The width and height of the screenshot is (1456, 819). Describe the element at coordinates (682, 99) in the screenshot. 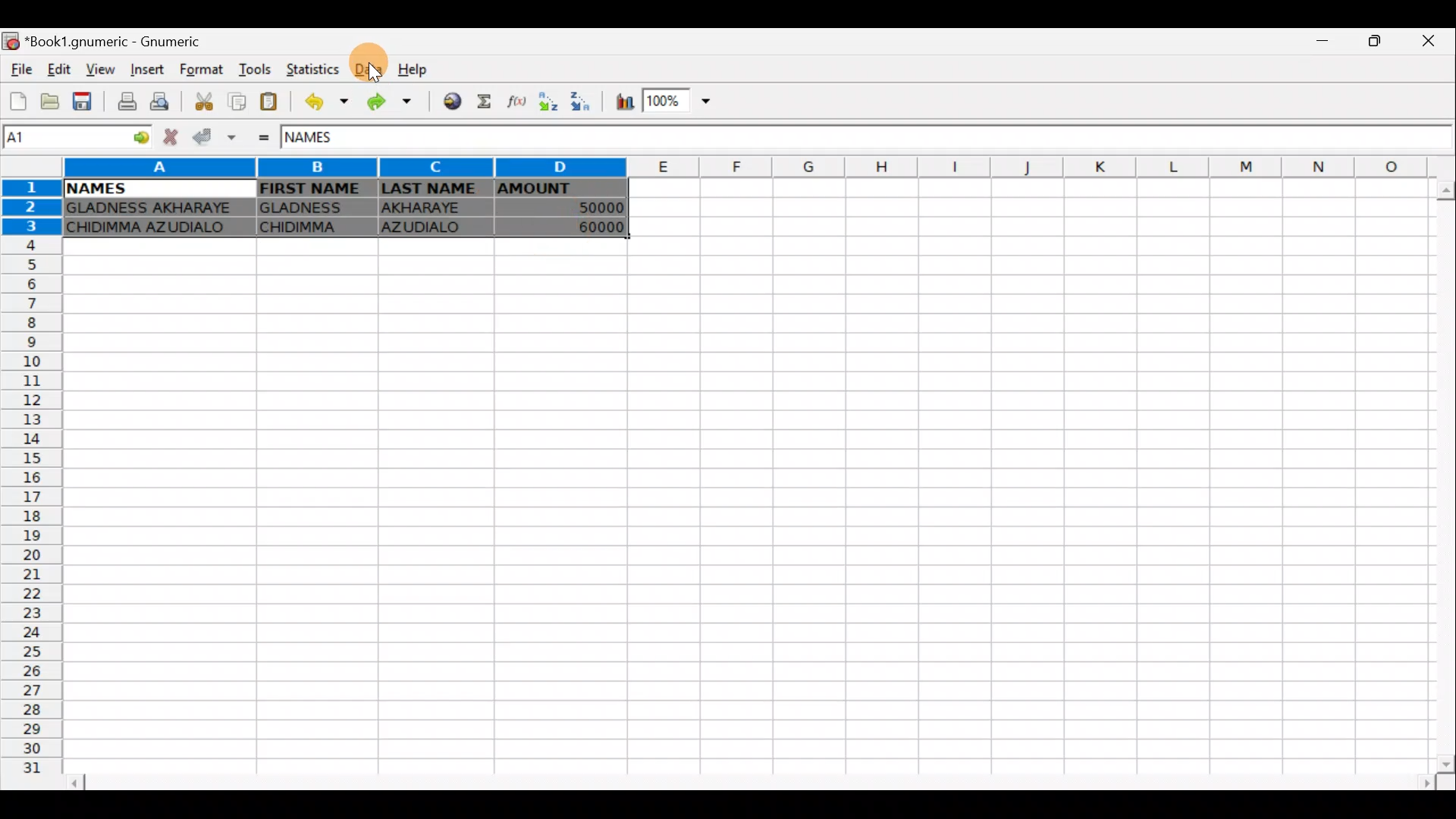

I see `Zoom` at that location.